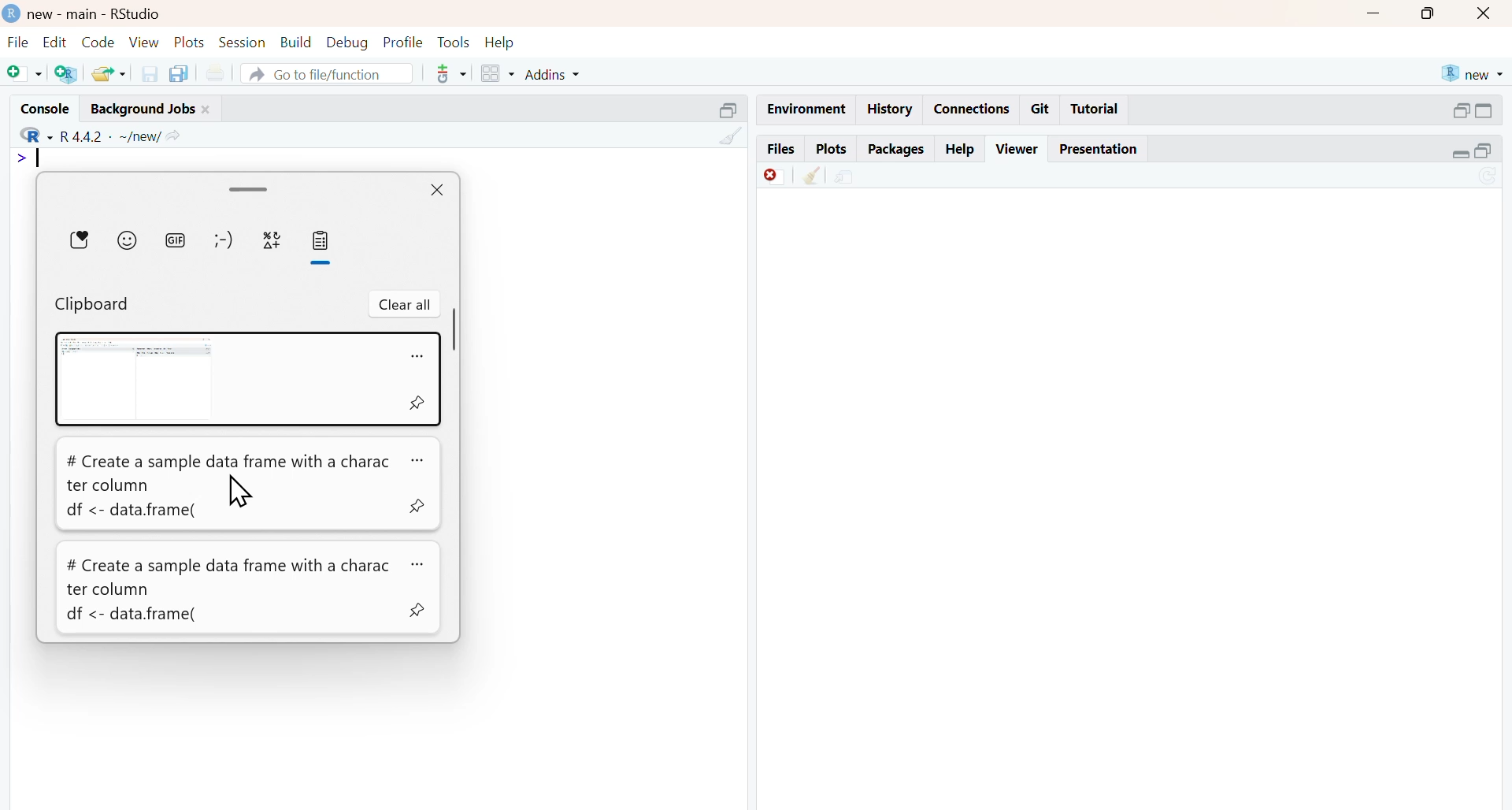 The width and height of the screenshot is (1512, 810). Describe the element at coordinates (453, 73) in the screenshot. I see `tools` at that location.